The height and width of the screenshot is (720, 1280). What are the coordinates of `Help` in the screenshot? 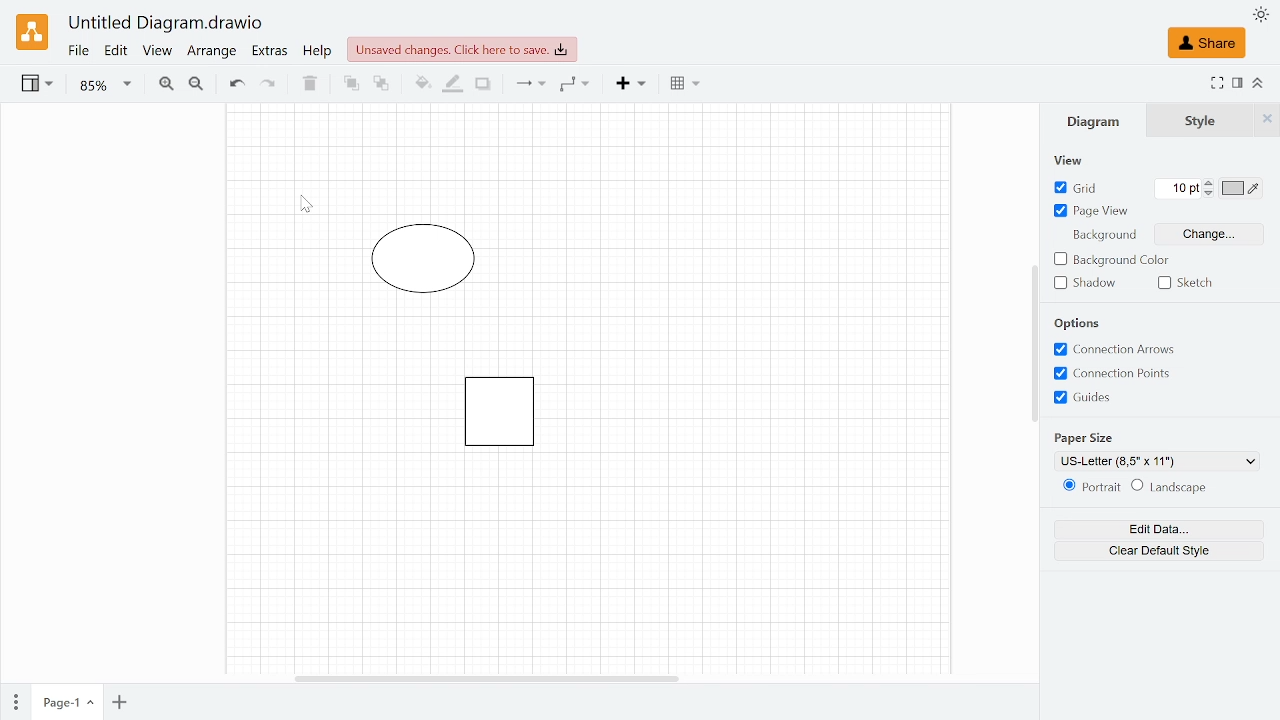 It's located at (320, 53).